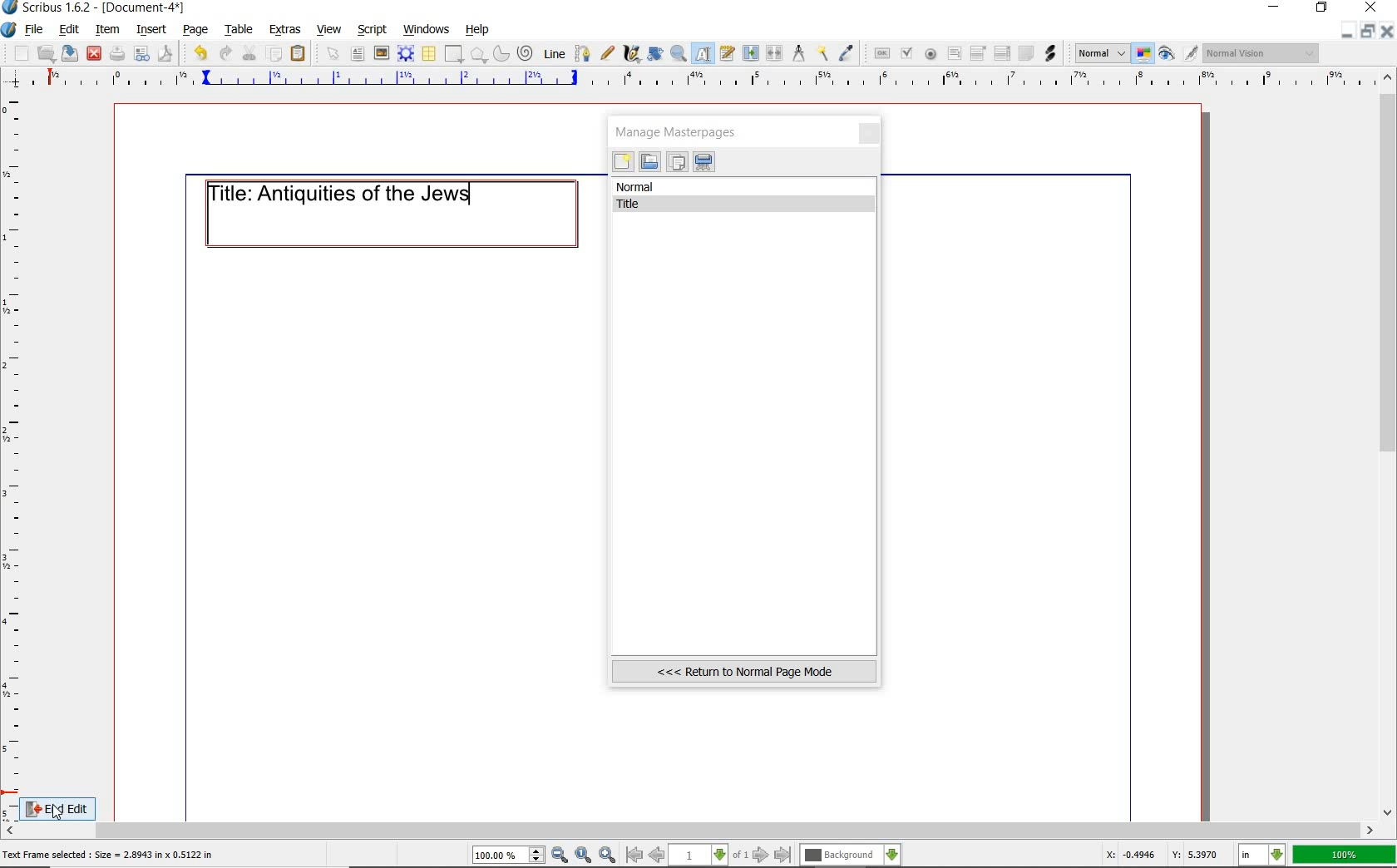 Image resolution: width=1397 pixels, height=868 pixels. I want to click on pdf text field, so click(954, 54).